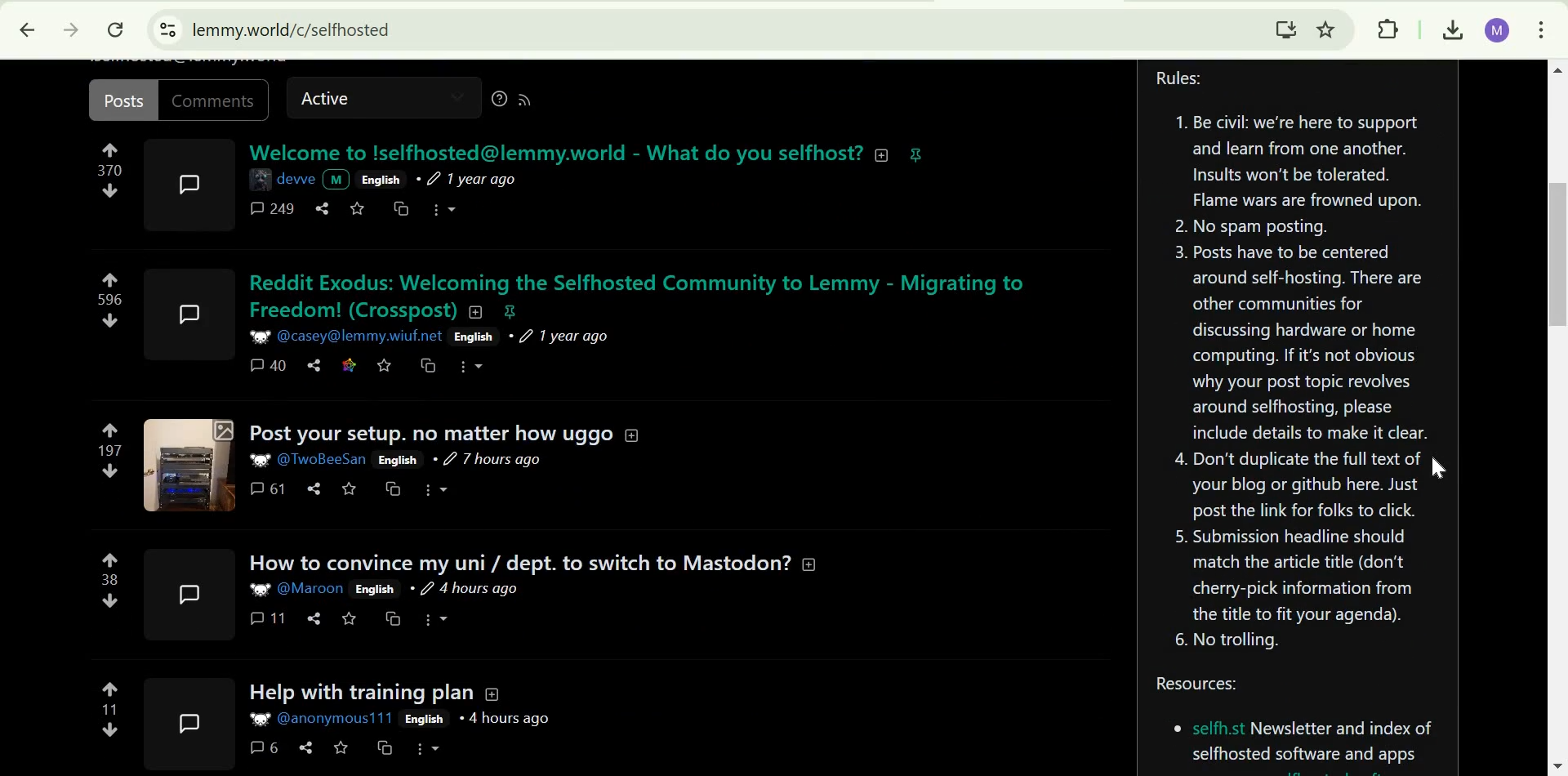 This screenshot has width=1568, height=776. I want to click on comments, so click(218, 100).